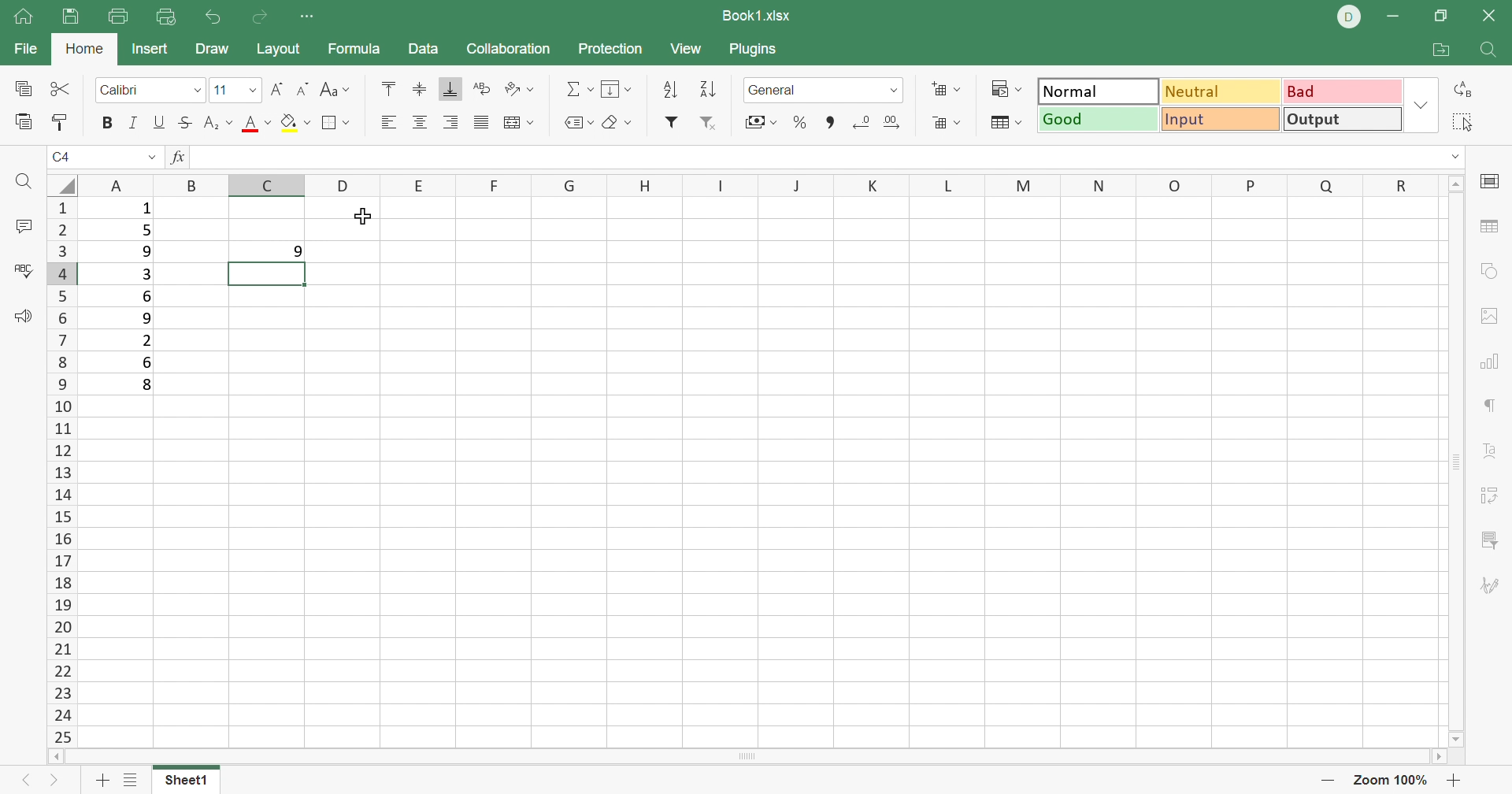  What do you see at coordinates (309, 17) in the screenshot?
I see `Customize quick access toolabr` at bounding box center [309, 17].